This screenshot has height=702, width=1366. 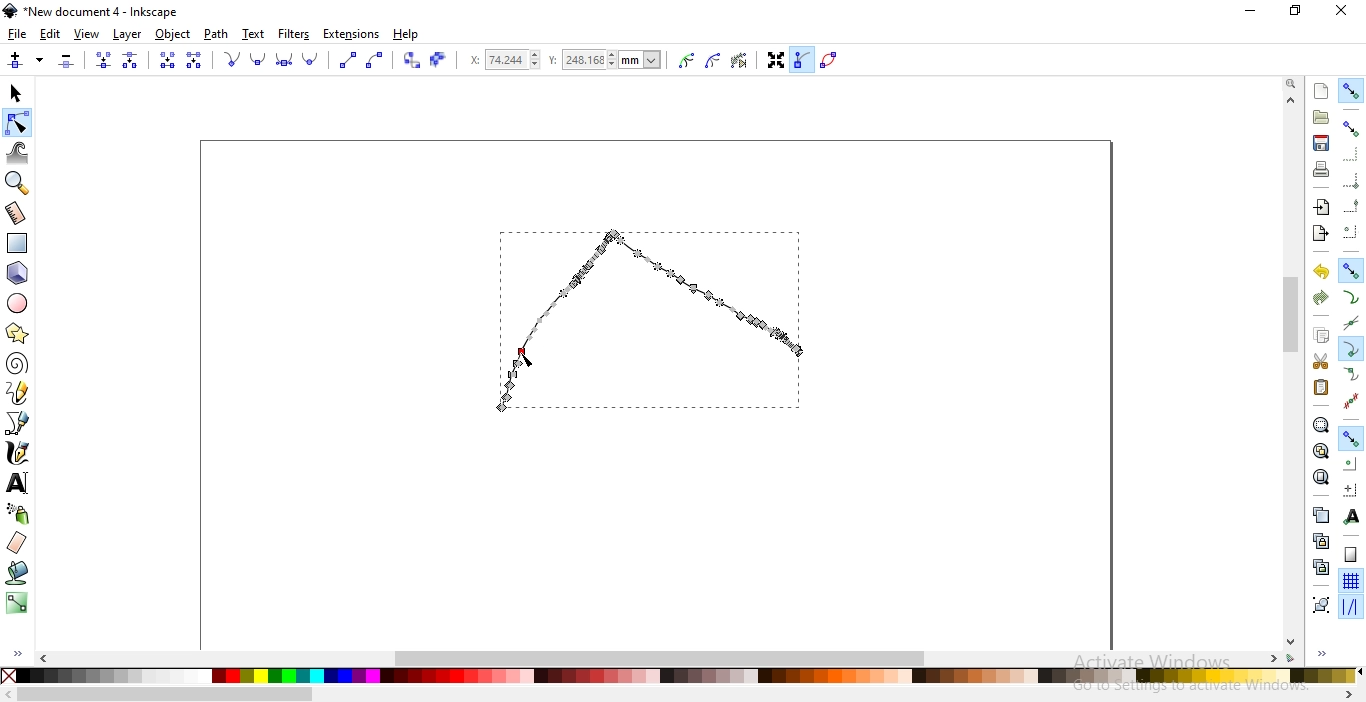 What do you see at coordinates (102, 12) in the screenshot?
I see `new document 4 - Inkscape` at bounding box center [102, 12].